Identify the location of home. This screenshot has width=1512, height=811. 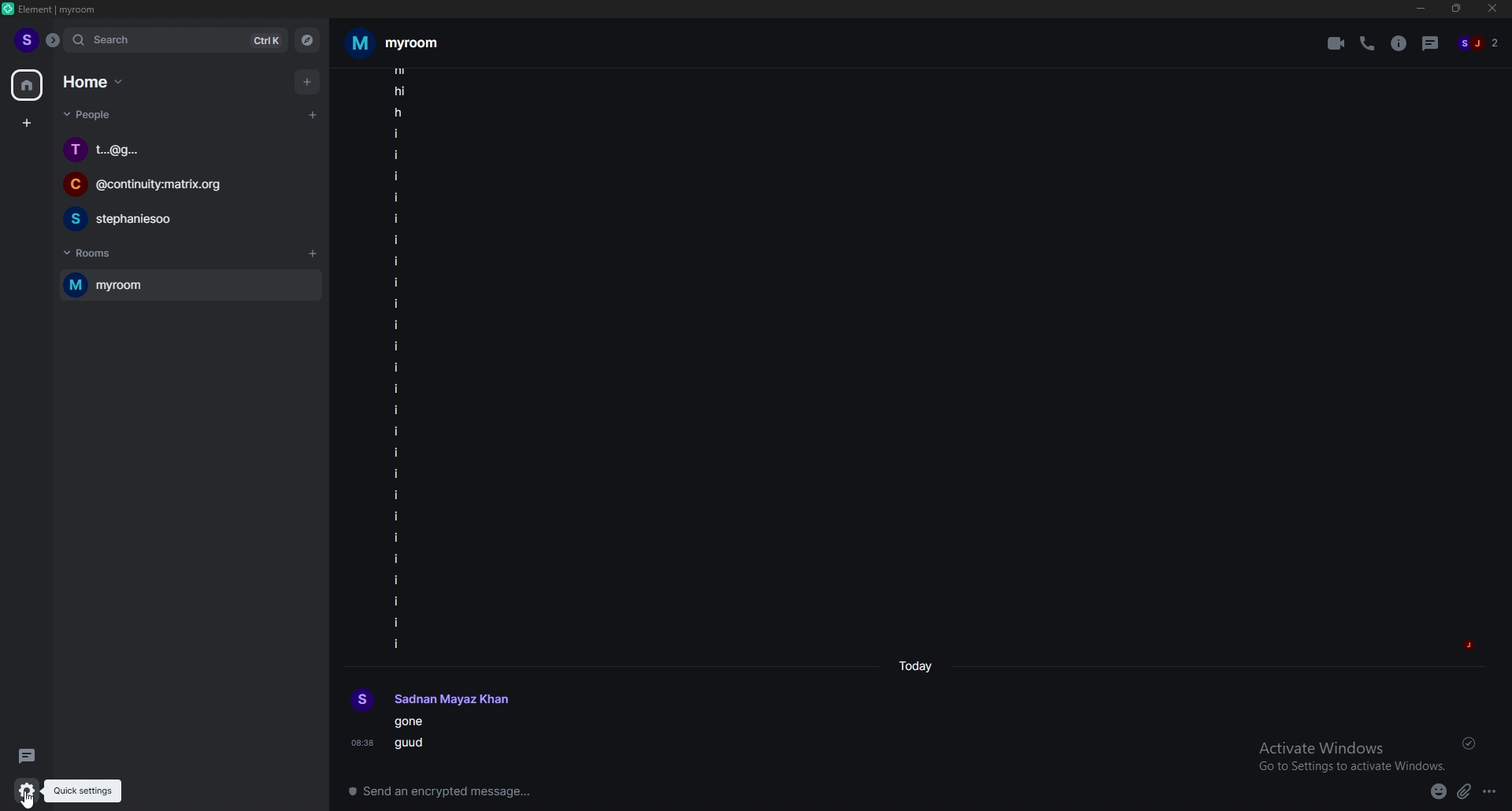
(28, 86).